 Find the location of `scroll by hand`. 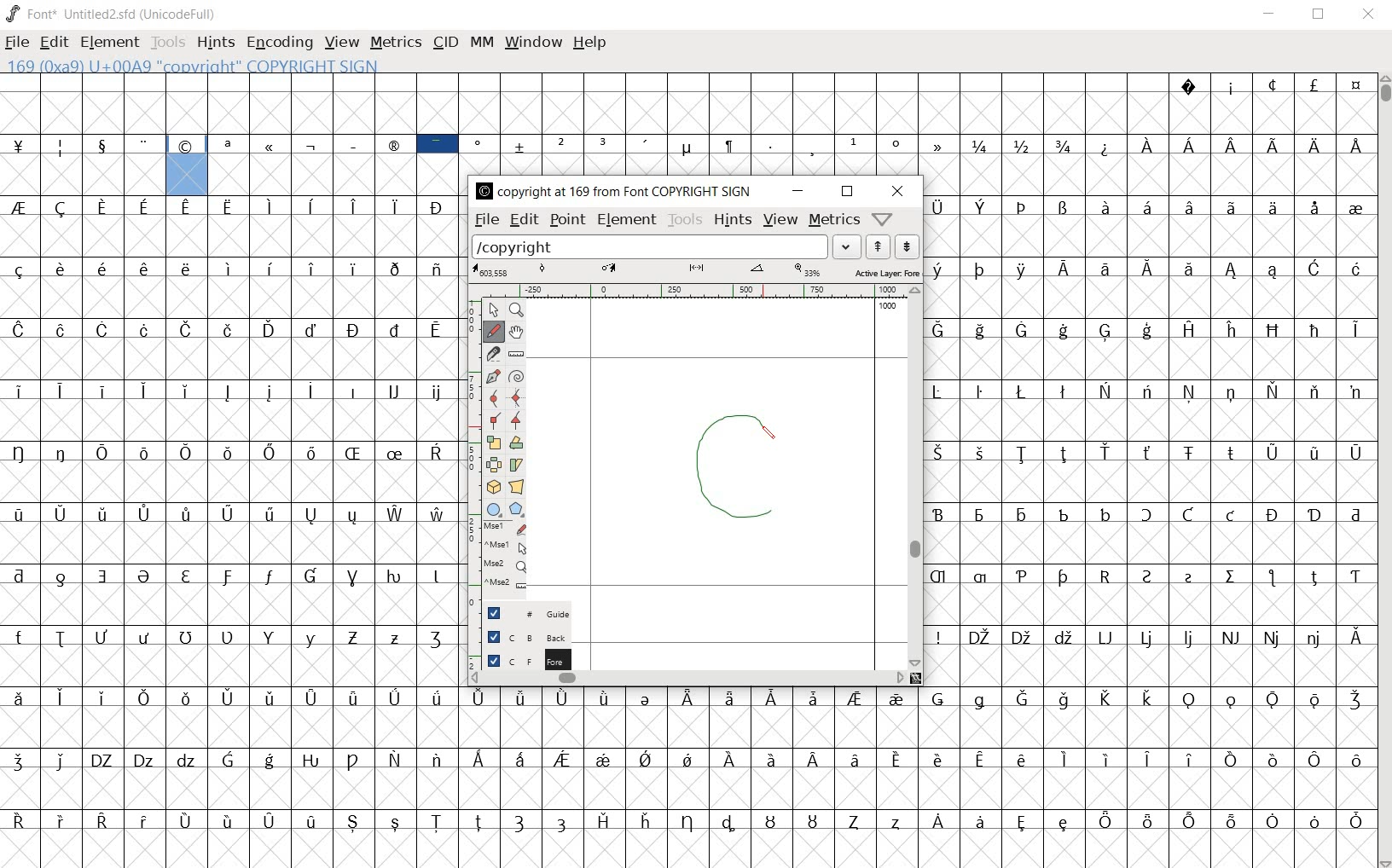

scroll by hand is located at coordinates (515, 333).